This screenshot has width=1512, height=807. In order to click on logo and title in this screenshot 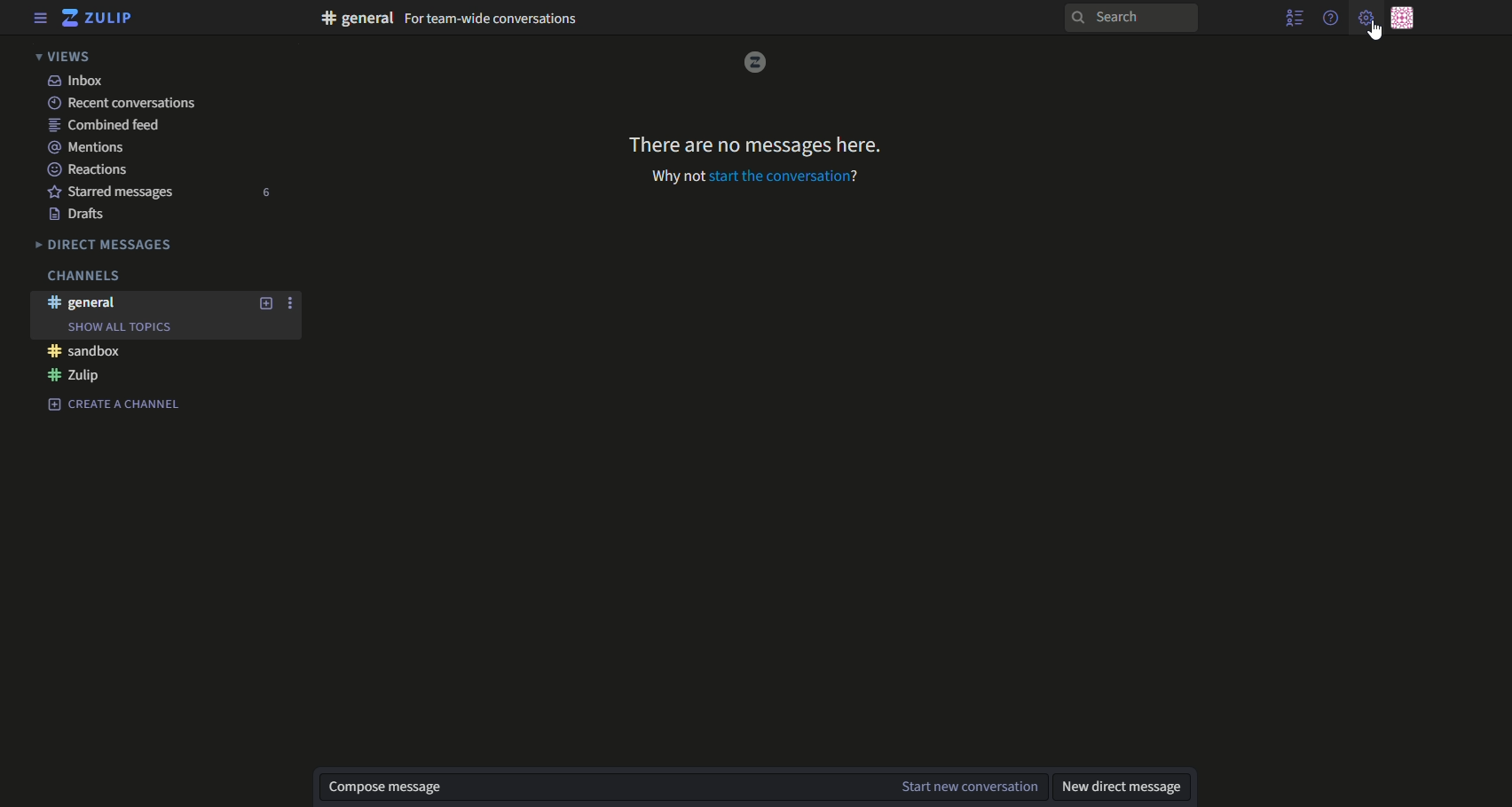, I will do `click(99, 18)`.